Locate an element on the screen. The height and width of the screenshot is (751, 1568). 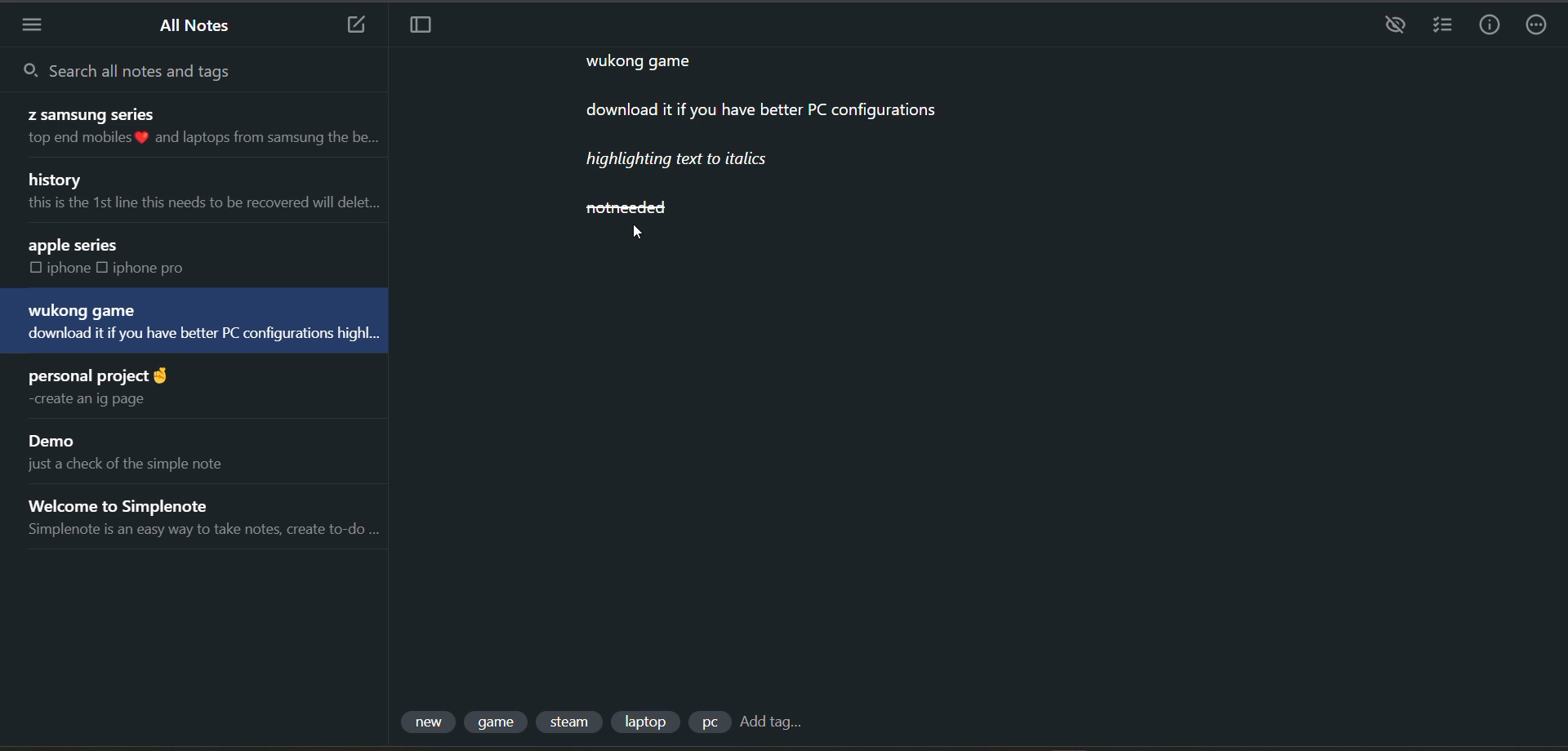
tag 5 is located at coordinates (710, 722).